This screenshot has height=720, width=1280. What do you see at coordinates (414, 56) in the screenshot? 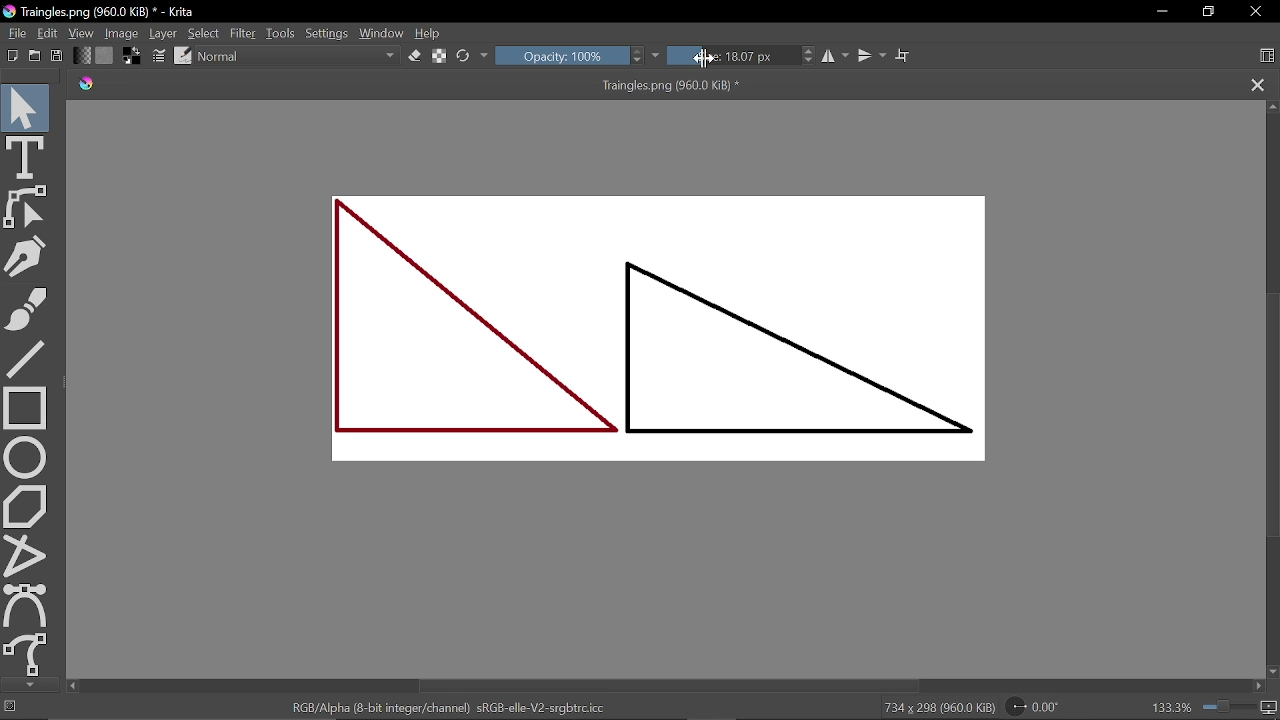
I see `Set eraser mode` at bounding box center [414, 56].